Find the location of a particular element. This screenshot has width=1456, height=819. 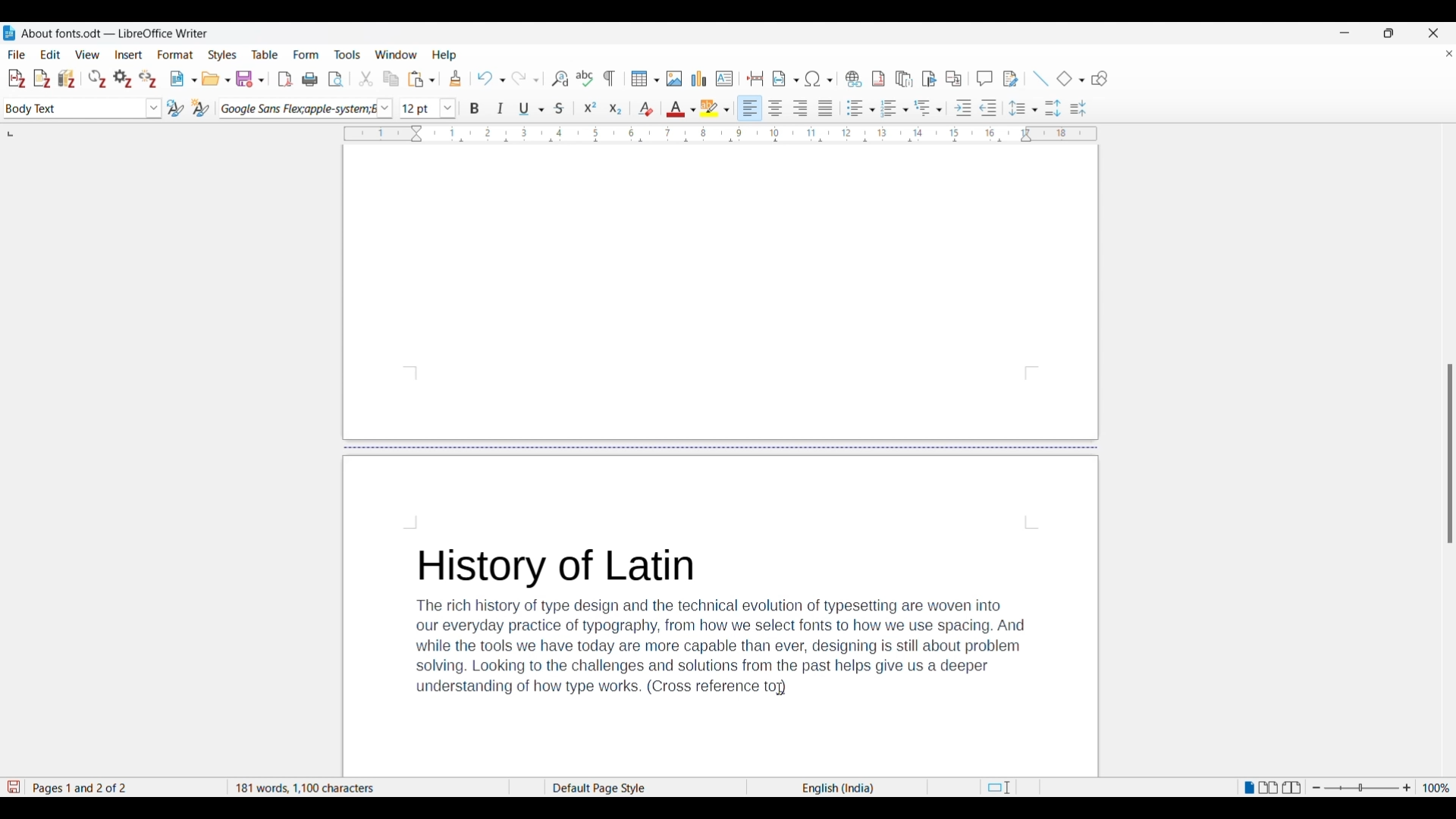

Insert comment is located at coordinates (984, 78).